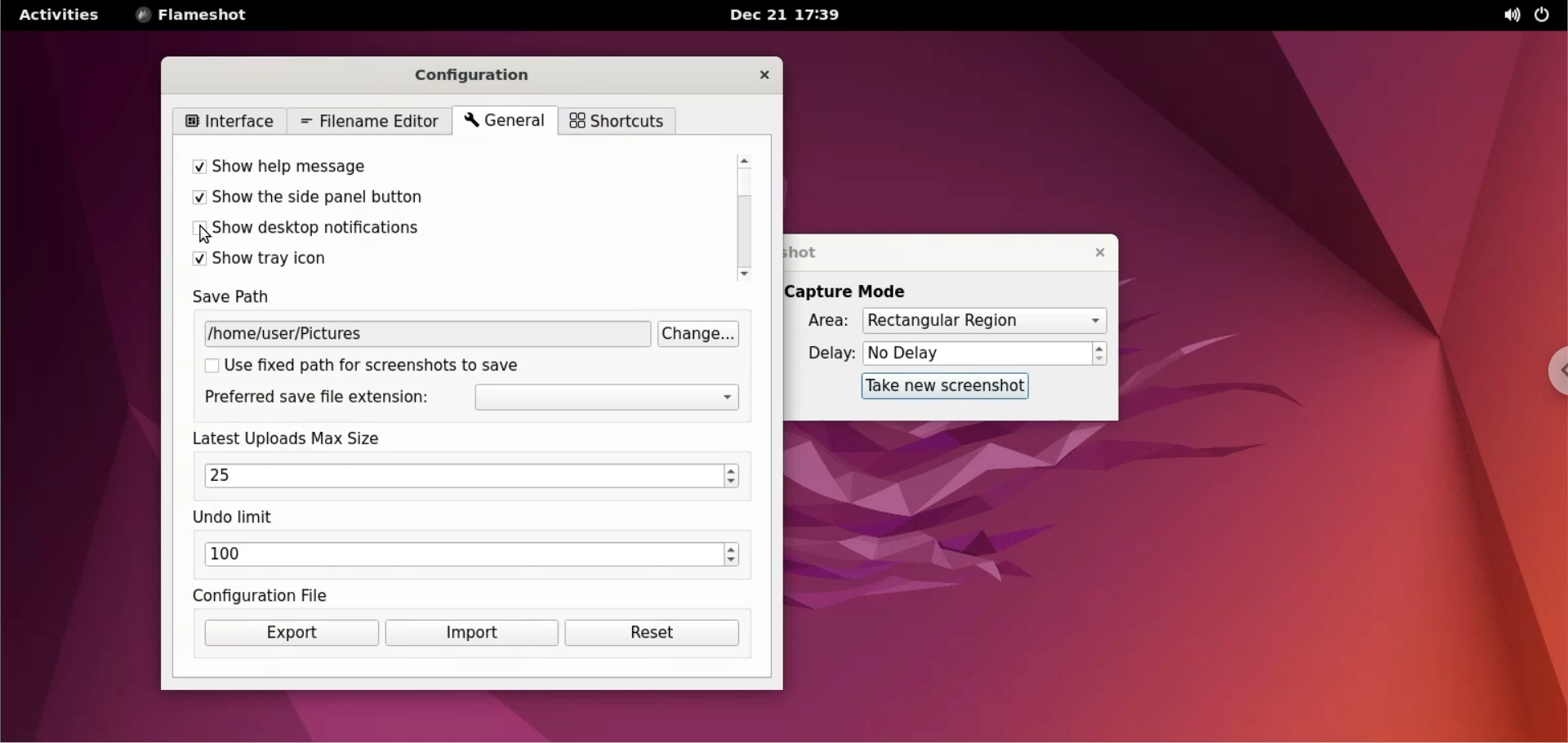 Image resolution: width=1568 pixels, height=743 pixels. Describe the element at coordinates (822, 354) in the screenshot. I see `delay:` at that location.